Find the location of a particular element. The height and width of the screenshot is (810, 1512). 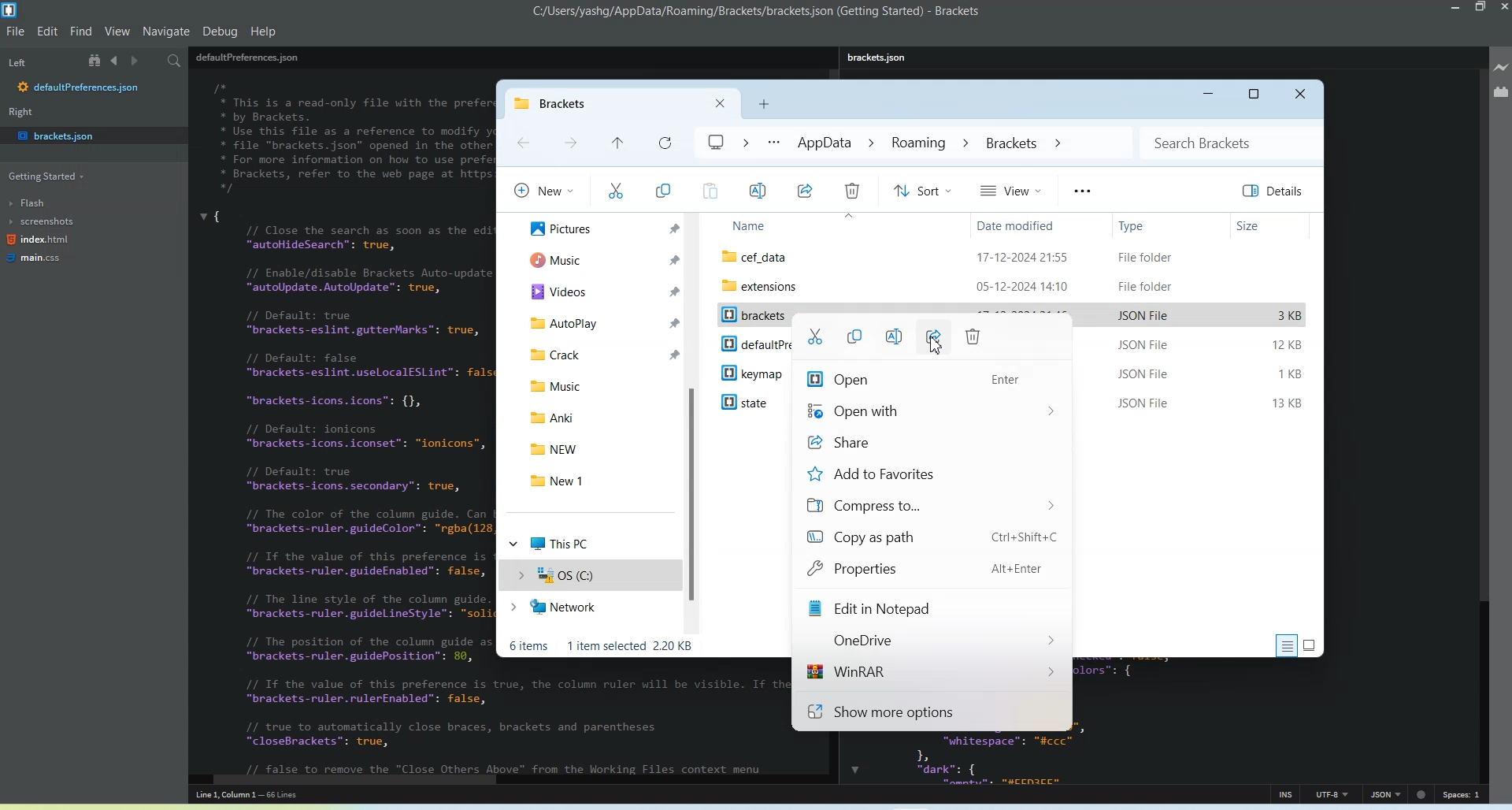

Extensions is located at coordinates (1014, 285).